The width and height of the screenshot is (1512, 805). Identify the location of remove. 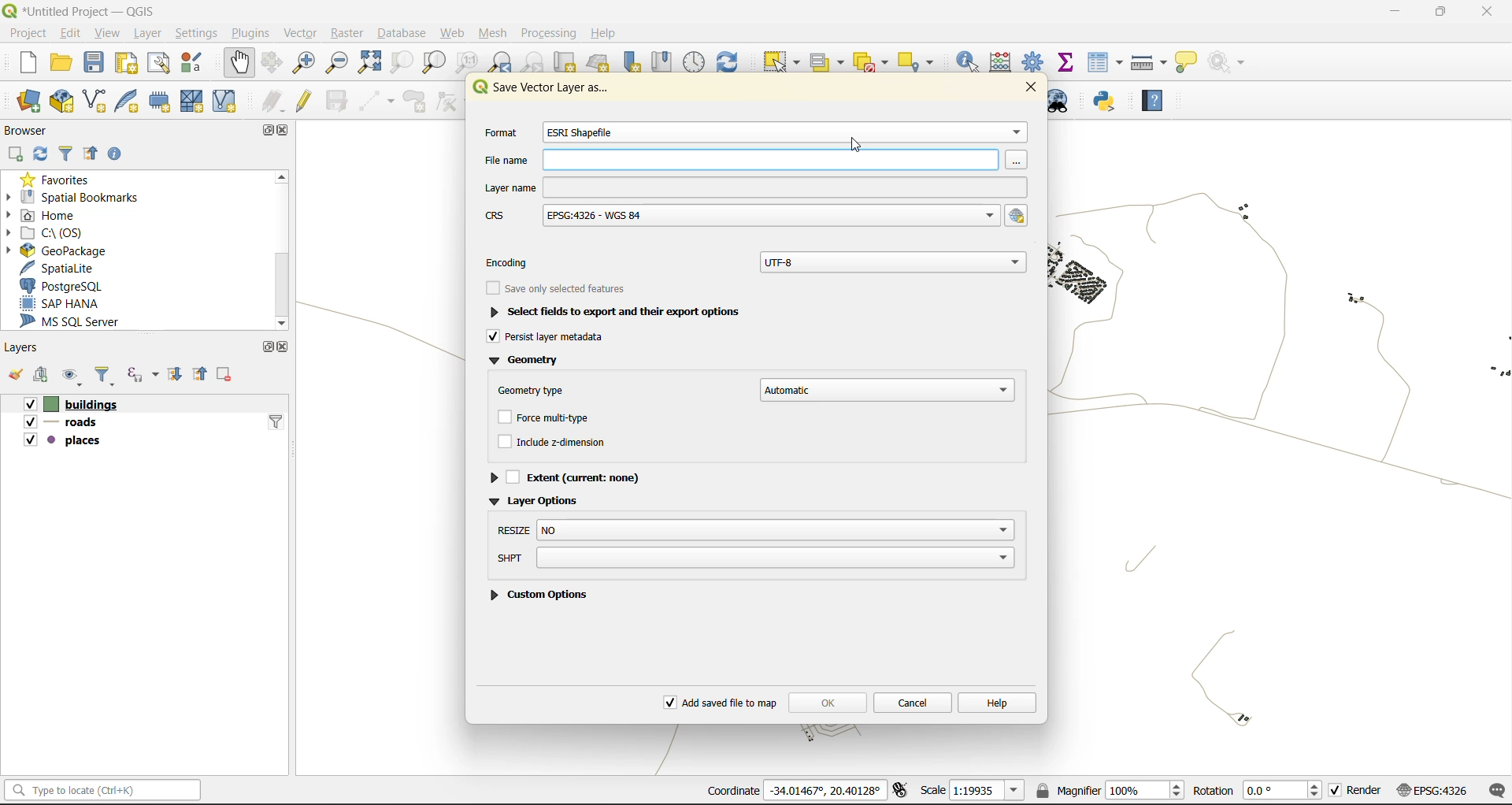
(228, 375).